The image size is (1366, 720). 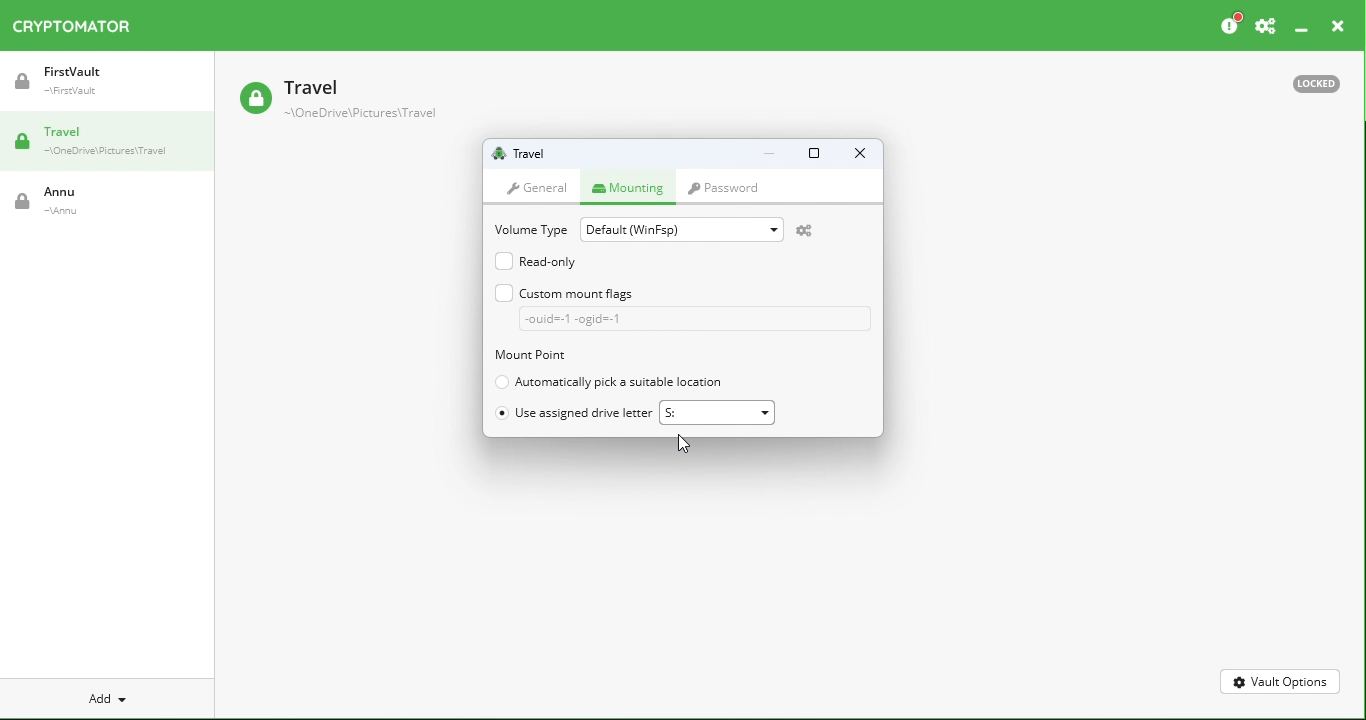 What do you see at coordinates (110, 88) in the screenshot?
I see `FirstVault` at bounding box center [110, 88].